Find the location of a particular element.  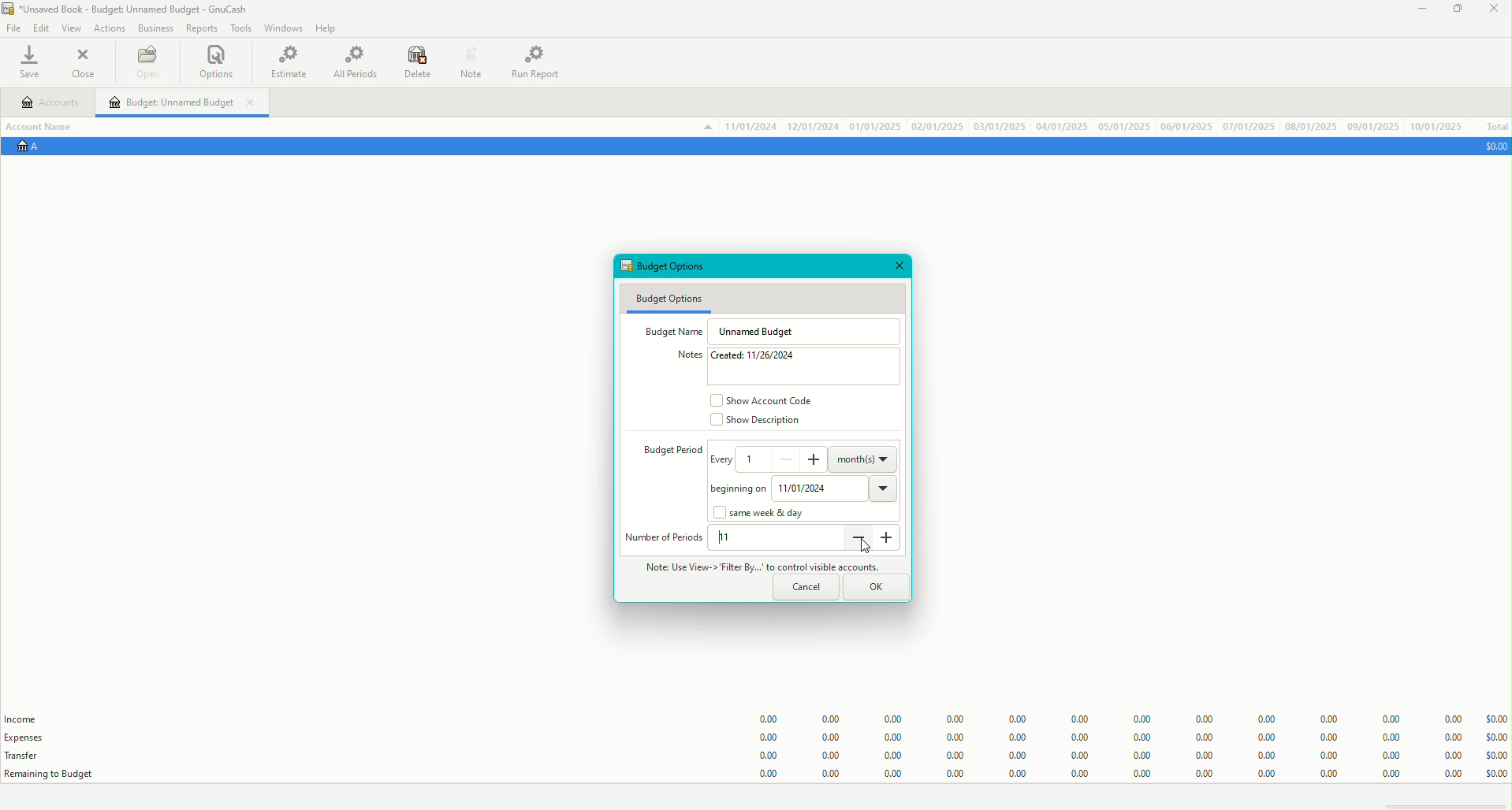

Account Data is located at coordinates (1082, 126).